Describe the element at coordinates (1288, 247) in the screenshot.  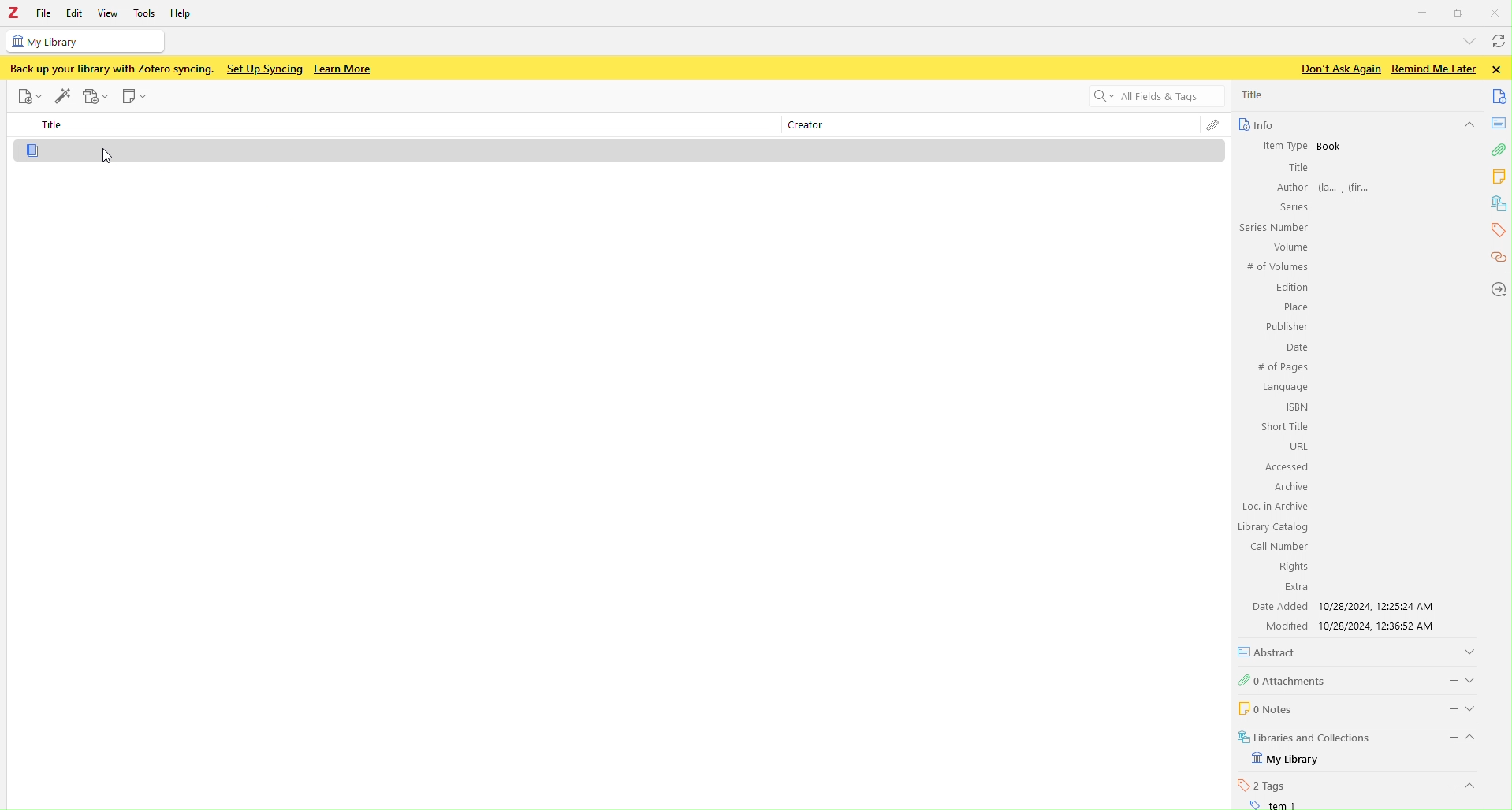
I see `‘Volume` at that location.